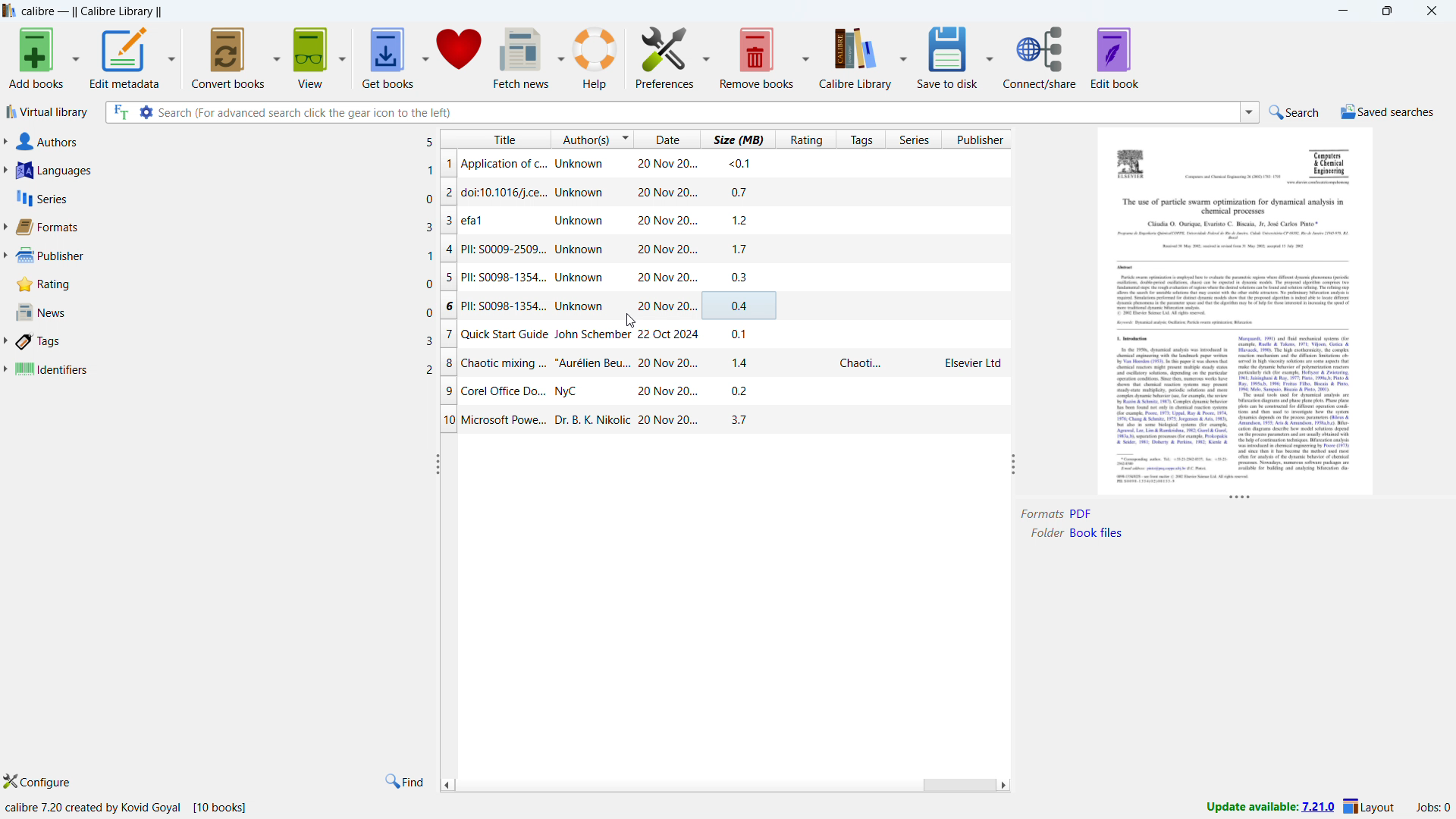 The width and height of the screenshot is (1456, 819). Describe the element at coordinates (626, 138) in the screenshot. I see `change sorting order` at that location.